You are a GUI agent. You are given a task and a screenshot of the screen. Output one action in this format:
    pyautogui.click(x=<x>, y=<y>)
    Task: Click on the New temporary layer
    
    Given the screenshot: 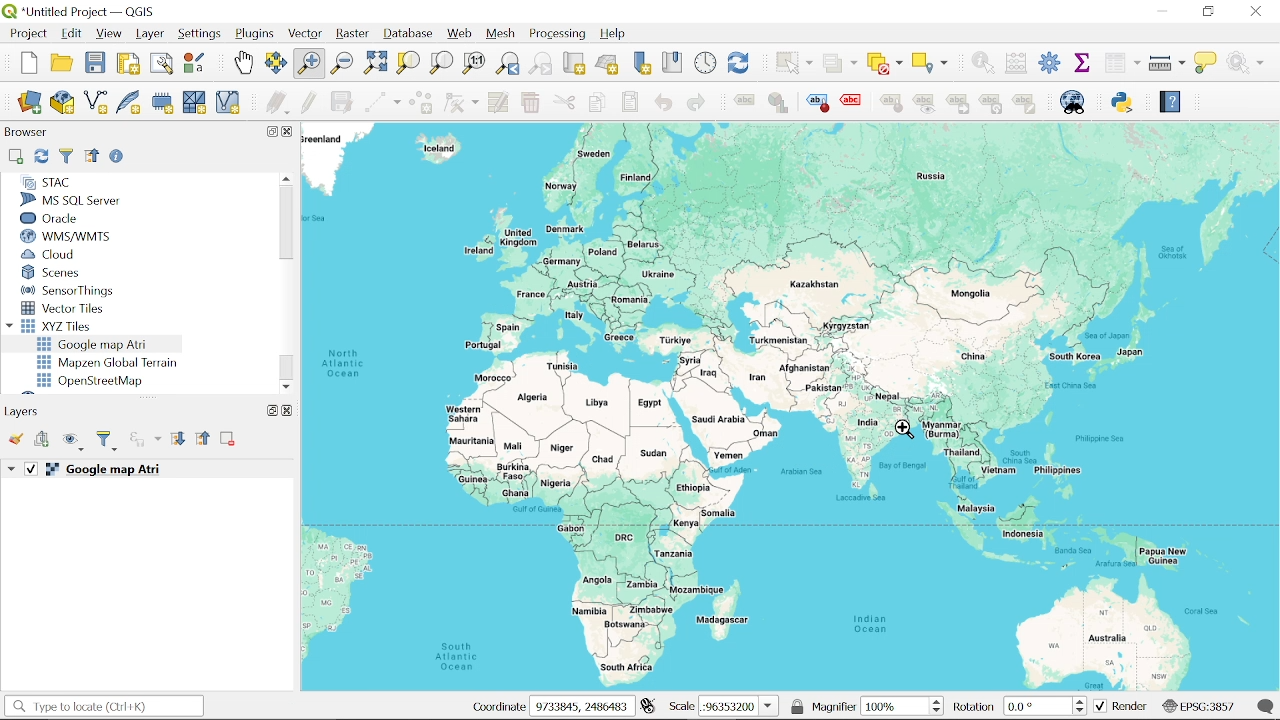 What is the action you would take?
    pyautogui.click(x=164, y=103)
    